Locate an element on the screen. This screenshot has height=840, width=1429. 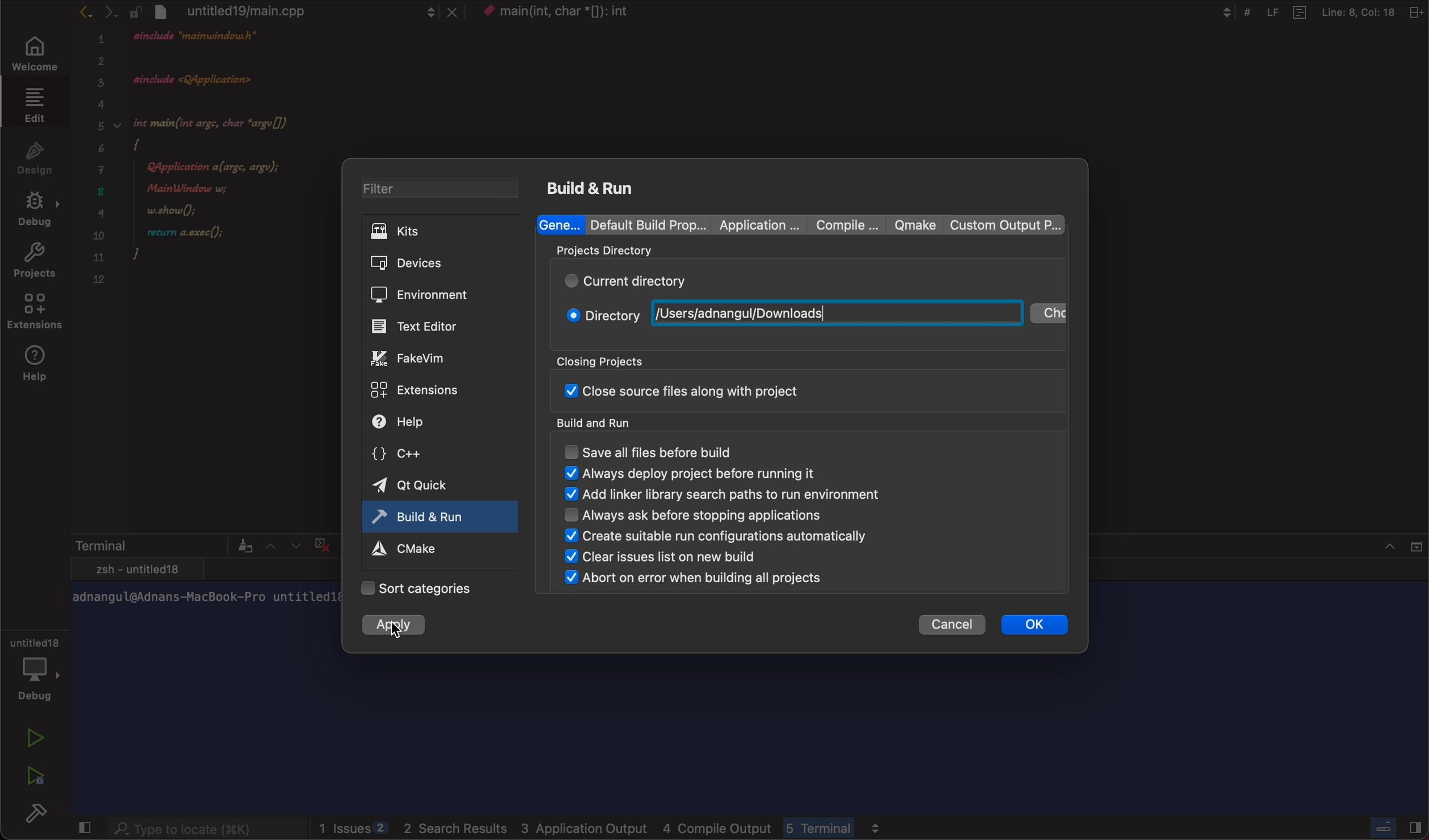
build and run  is located at coordinates (606, 422).